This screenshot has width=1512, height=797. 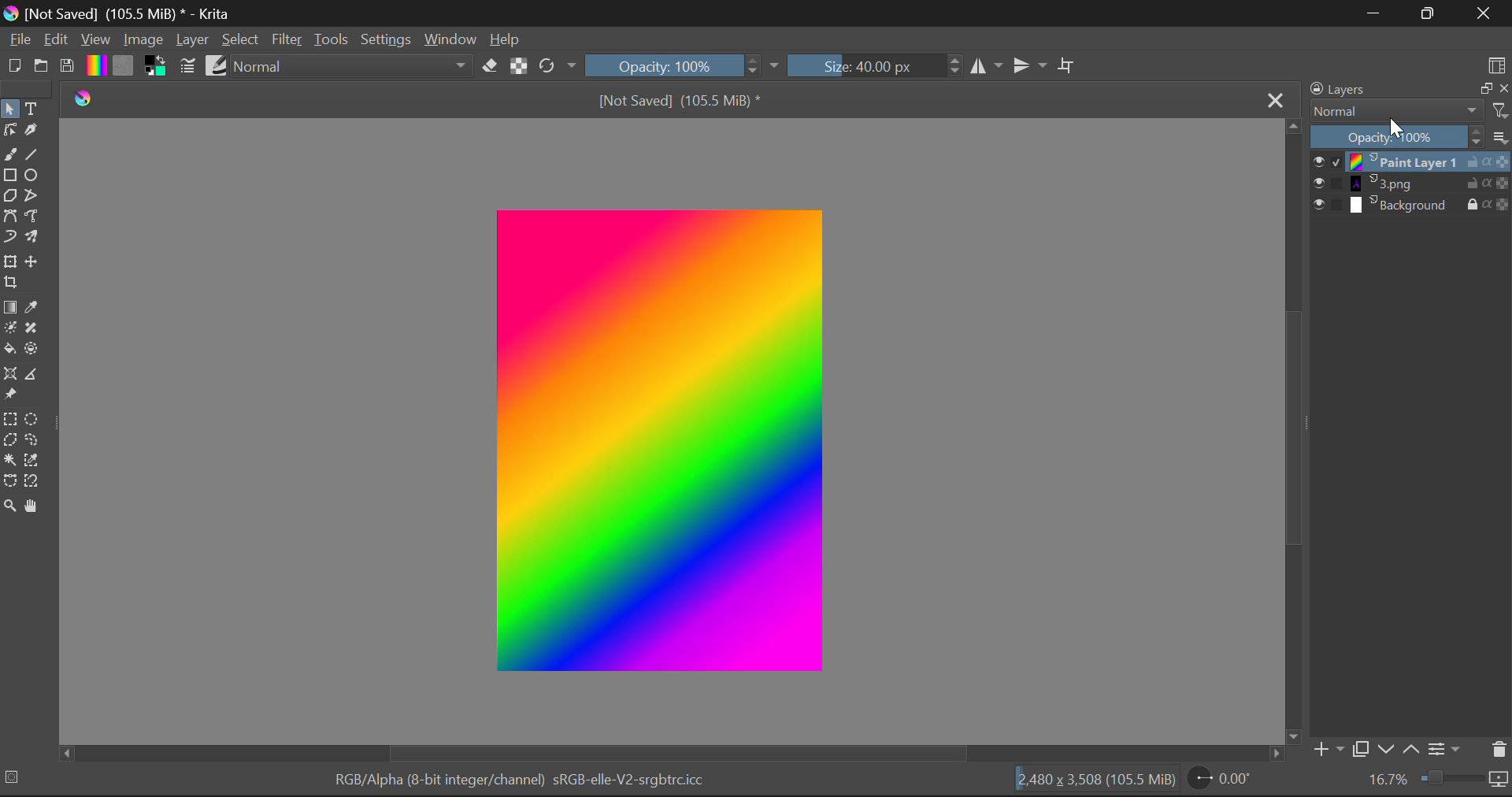 I want to click on 0.00, so click(x=1233, y=780).